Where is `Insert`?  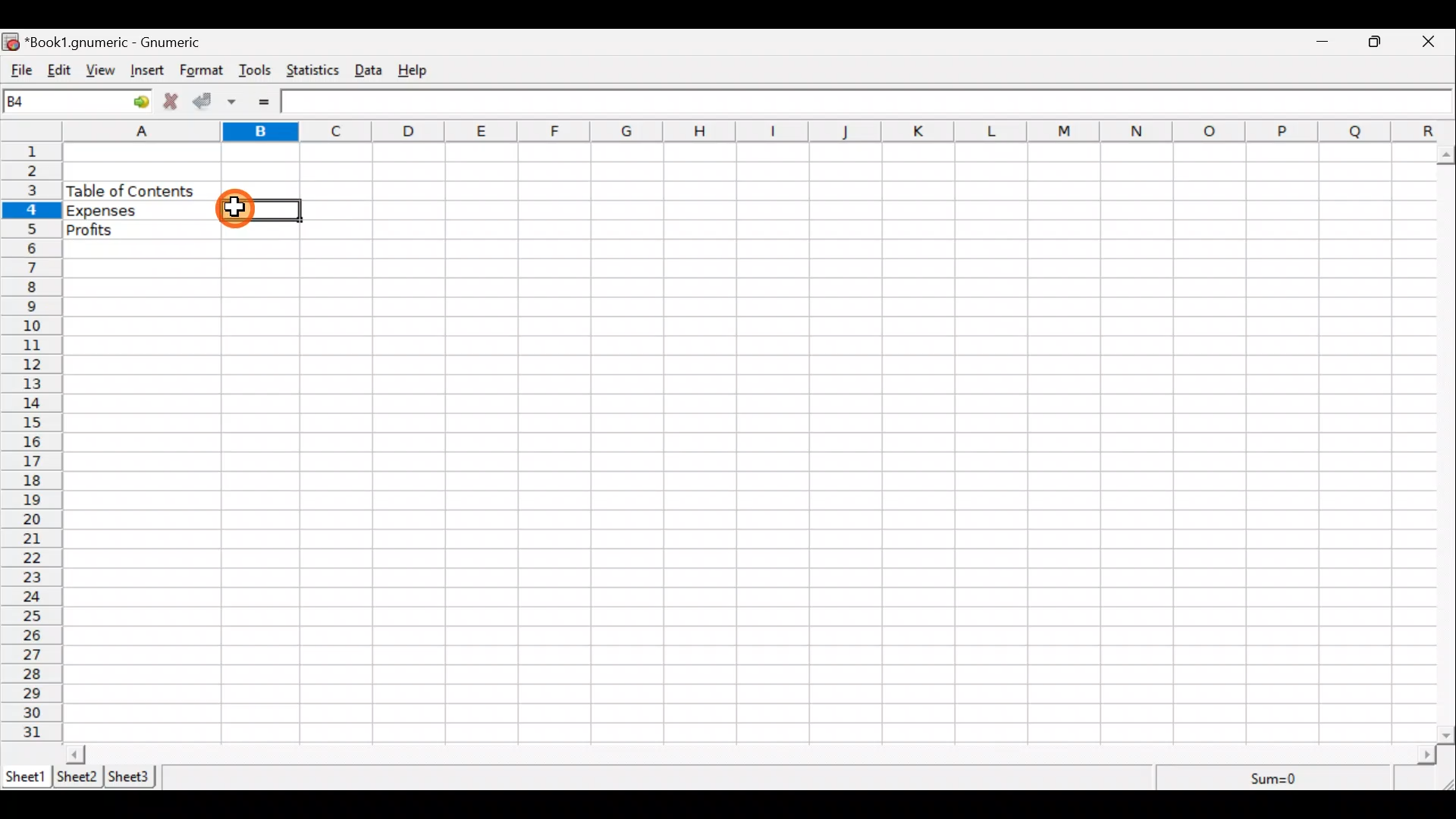 Insert is located at coordinates (149, 72).